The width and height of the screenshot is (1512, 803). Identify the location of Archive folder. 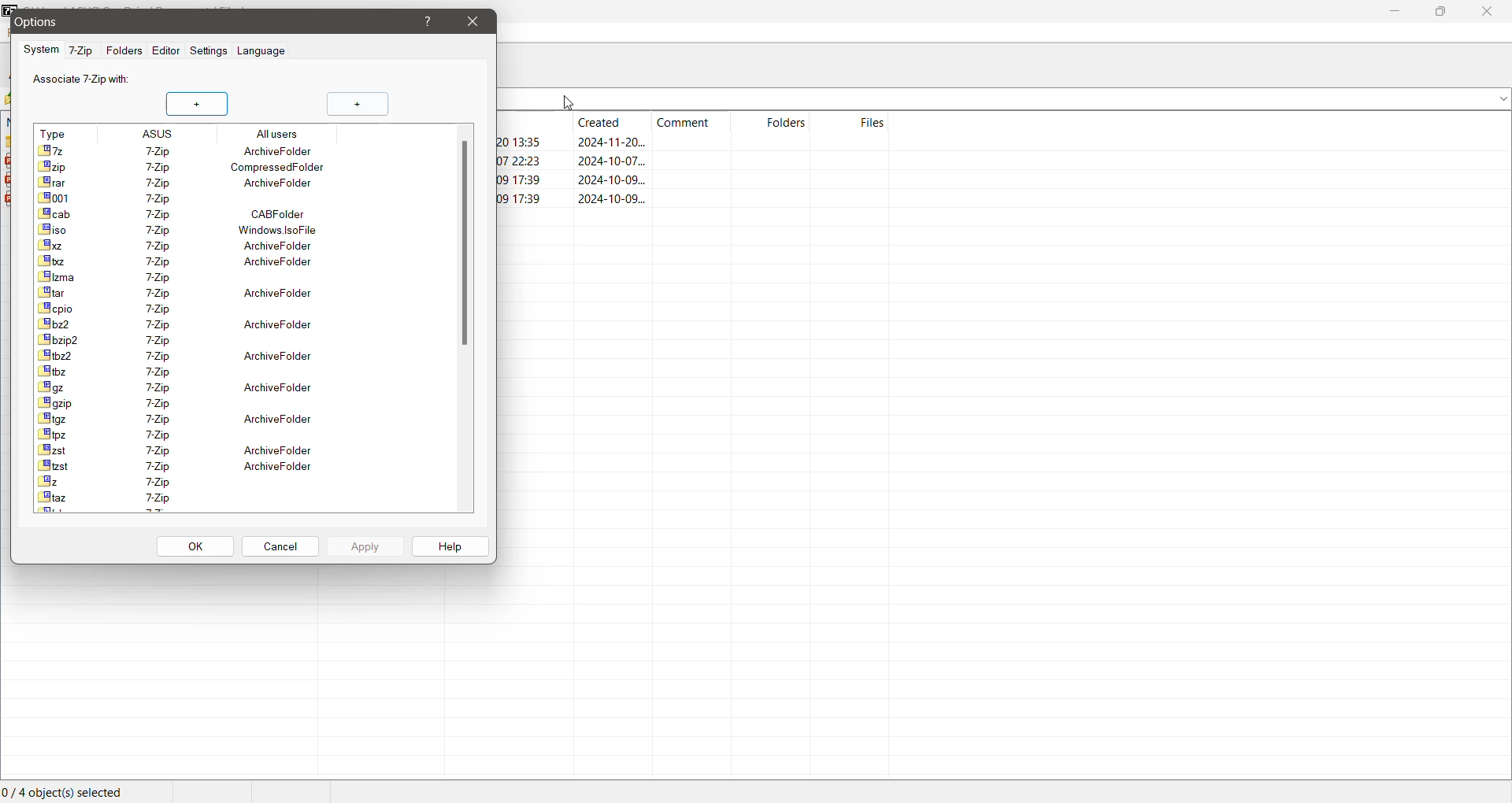
(189, 261).